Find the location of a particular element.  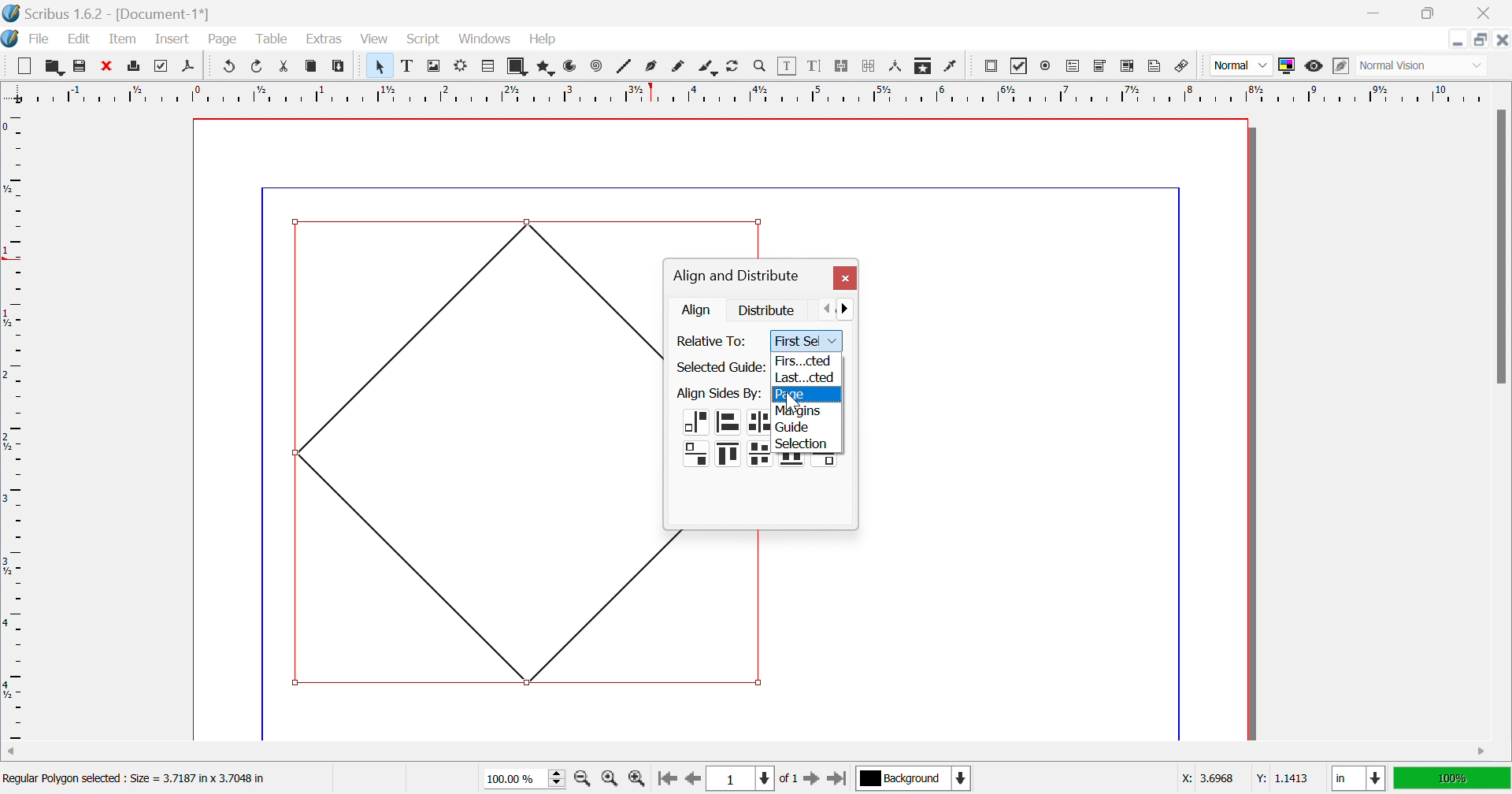

Text frame is located at coordinates (409, 65).